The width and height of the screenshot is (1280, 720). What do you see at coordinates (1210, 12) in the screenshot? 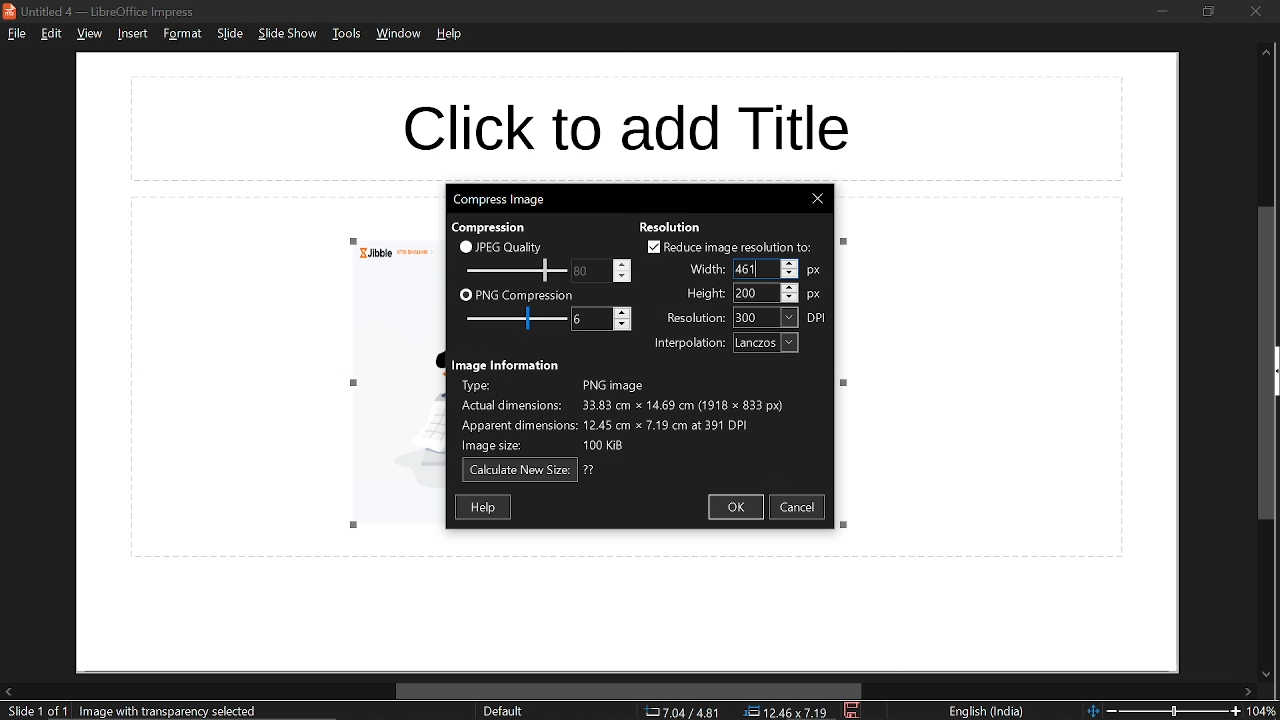
I see `restore down` at bounding box center [1210, 12].